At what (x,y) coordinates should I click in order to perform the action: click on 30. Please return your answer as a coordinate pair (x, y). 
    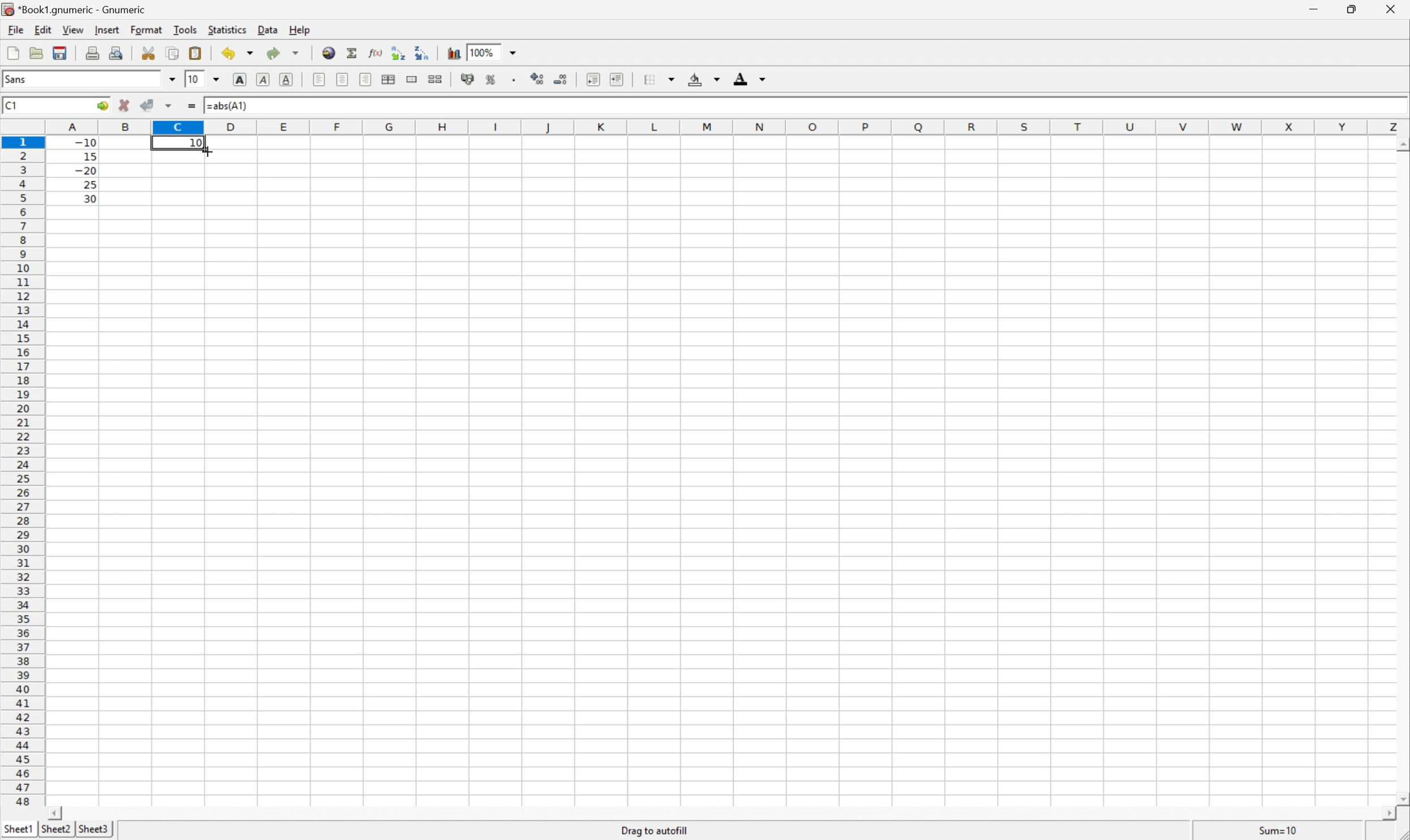
    Looking at the image, I should click on (87, 198).